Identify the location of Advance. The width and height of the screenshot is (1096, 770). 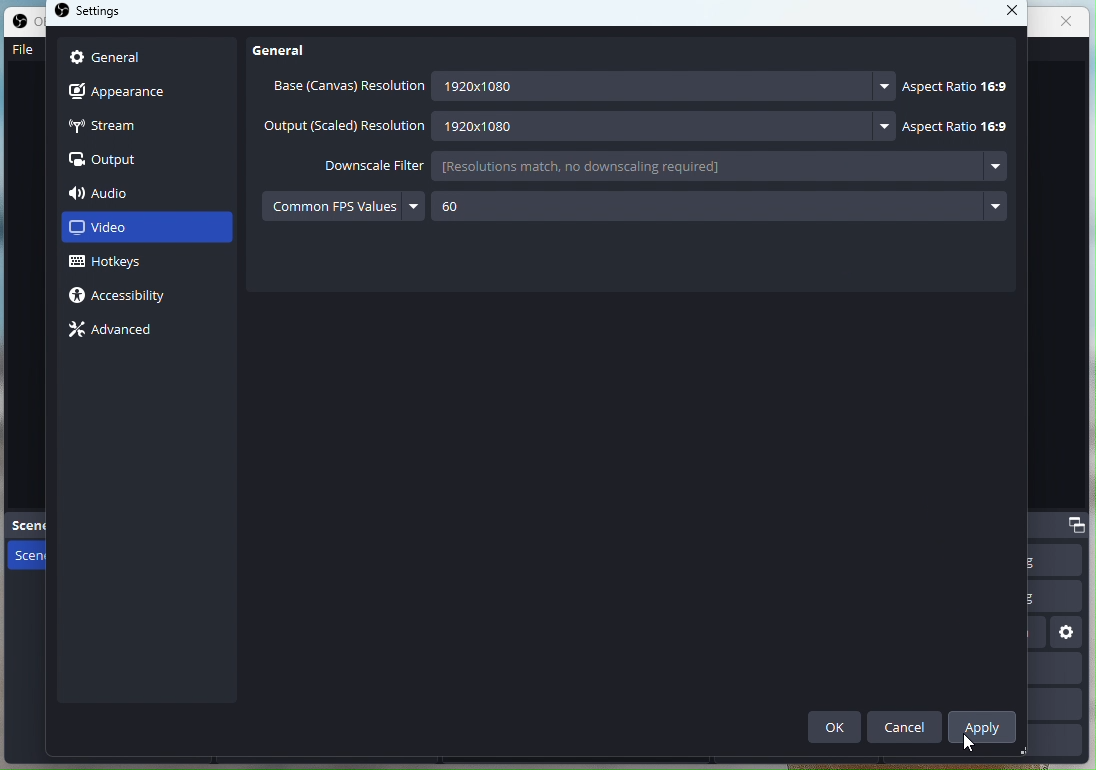
(116, 327).